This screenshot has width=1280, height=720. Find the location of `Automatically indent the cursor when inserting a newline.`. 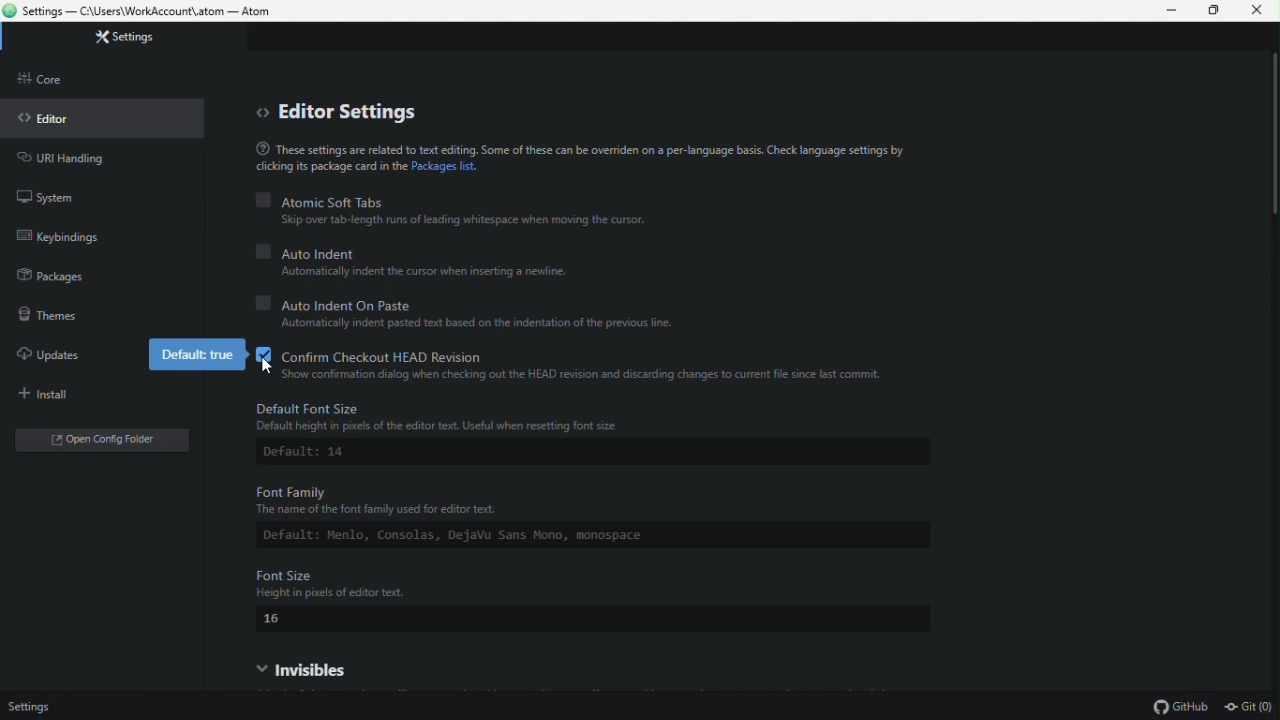

Automatically indent the cursor when inserting a newline. is located at coordinates (439, 273).